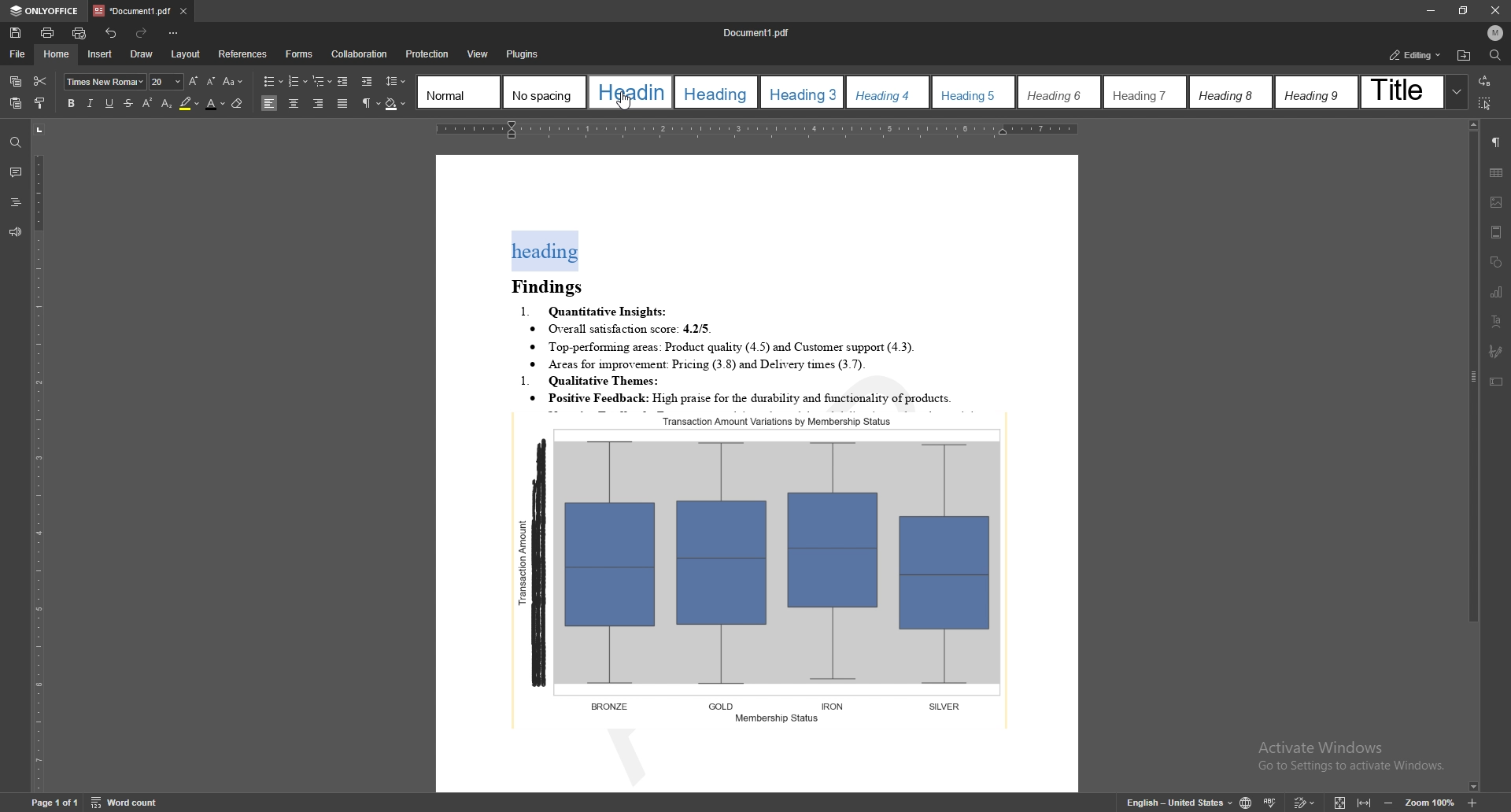 The width and height of the screenshot is (1511, 812). I want to click on vertical scale, so click(39, 456).